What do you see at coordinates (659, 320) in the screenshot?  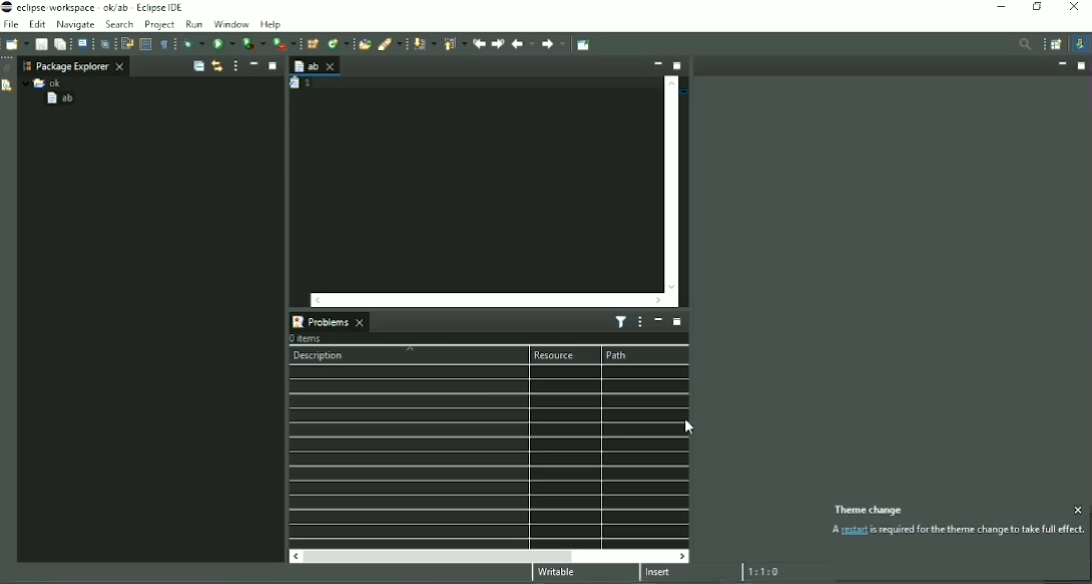 I see `Minimize` at bounding box center [659, 320].